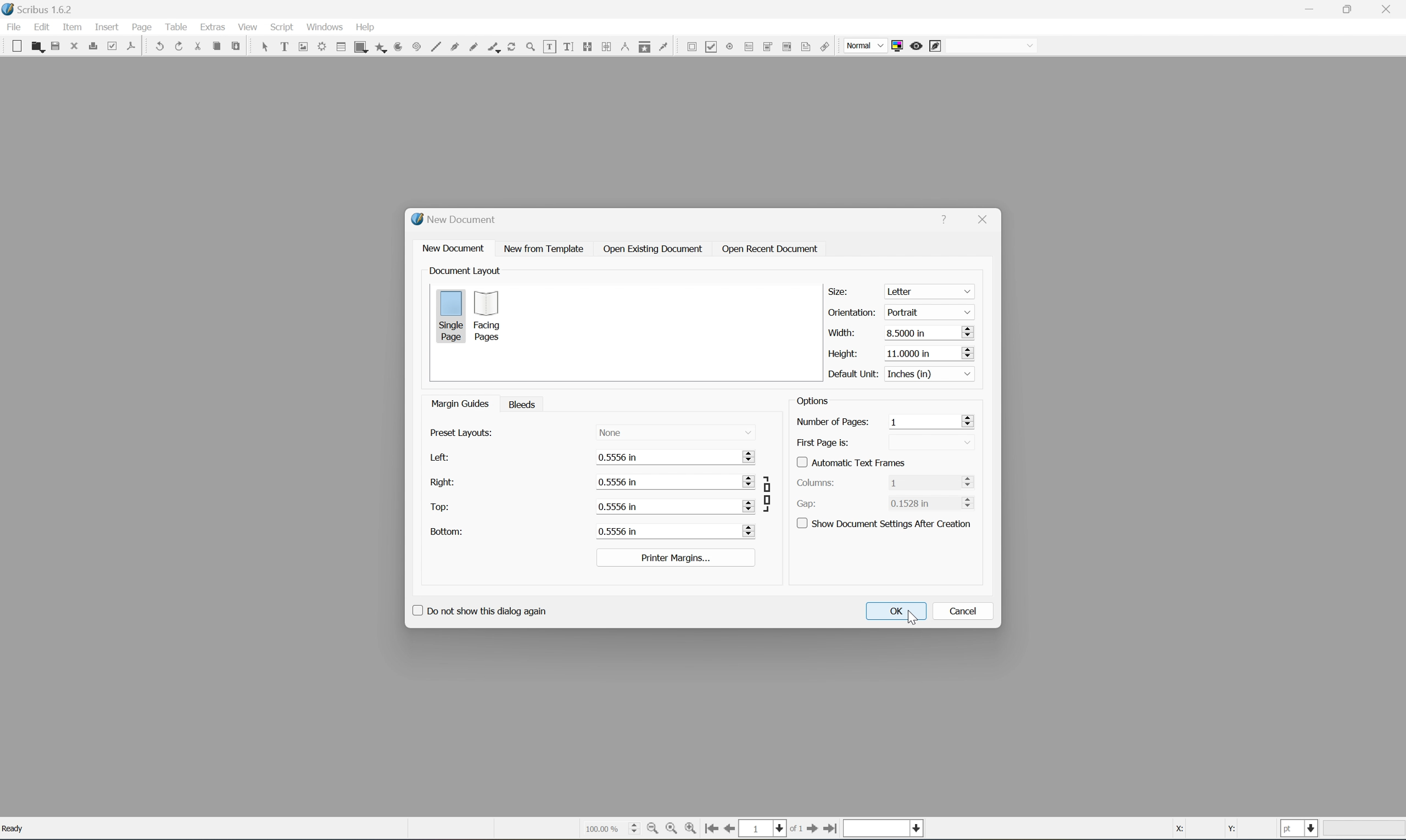 The height and width of the screenshot is (840, 1406). I want to click on width:, so click(843, 332).